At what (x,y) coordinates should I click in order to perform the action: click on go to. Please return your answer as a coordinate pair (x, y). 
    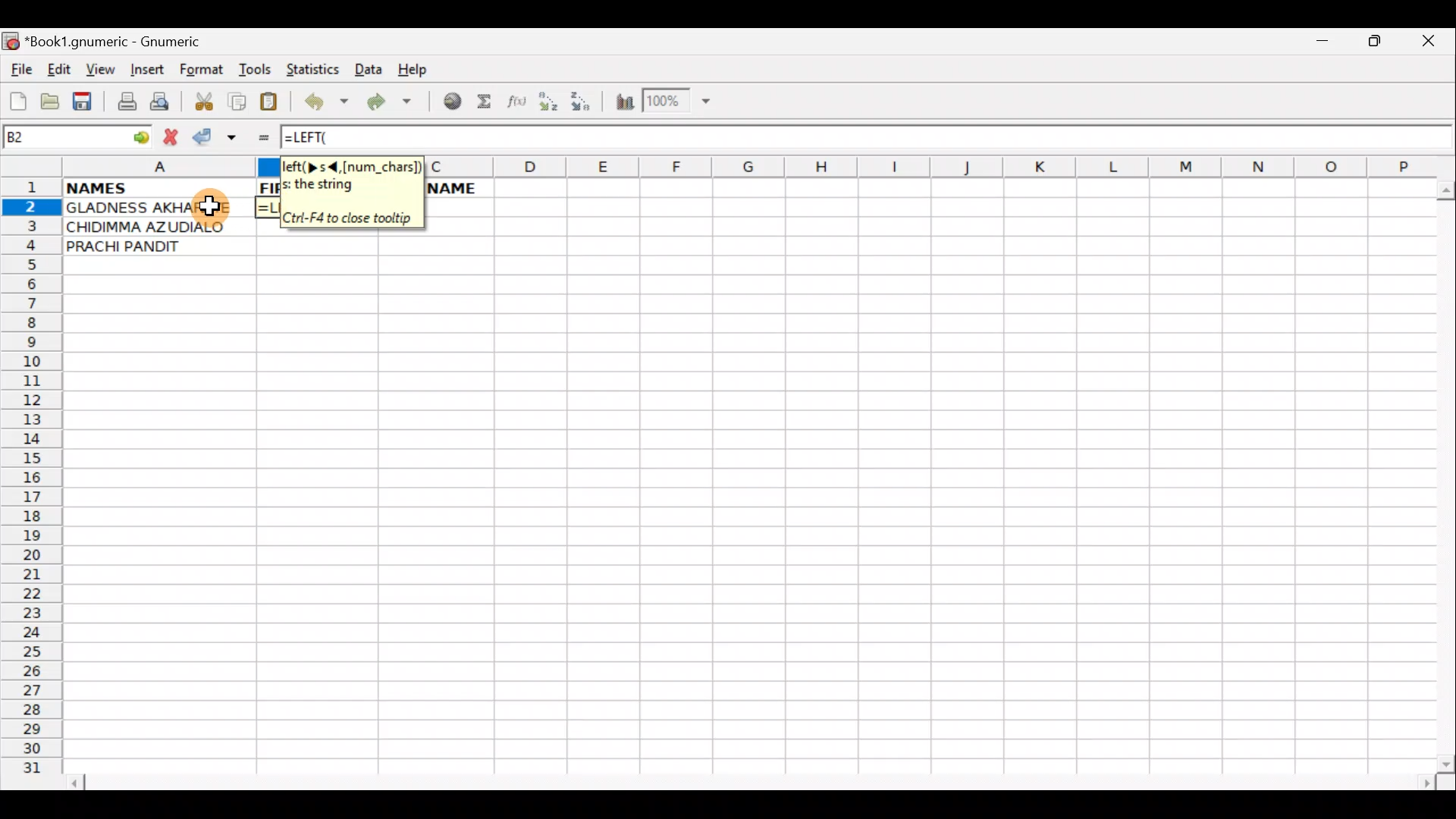
    Looking at the image, I should click on (140, 135).